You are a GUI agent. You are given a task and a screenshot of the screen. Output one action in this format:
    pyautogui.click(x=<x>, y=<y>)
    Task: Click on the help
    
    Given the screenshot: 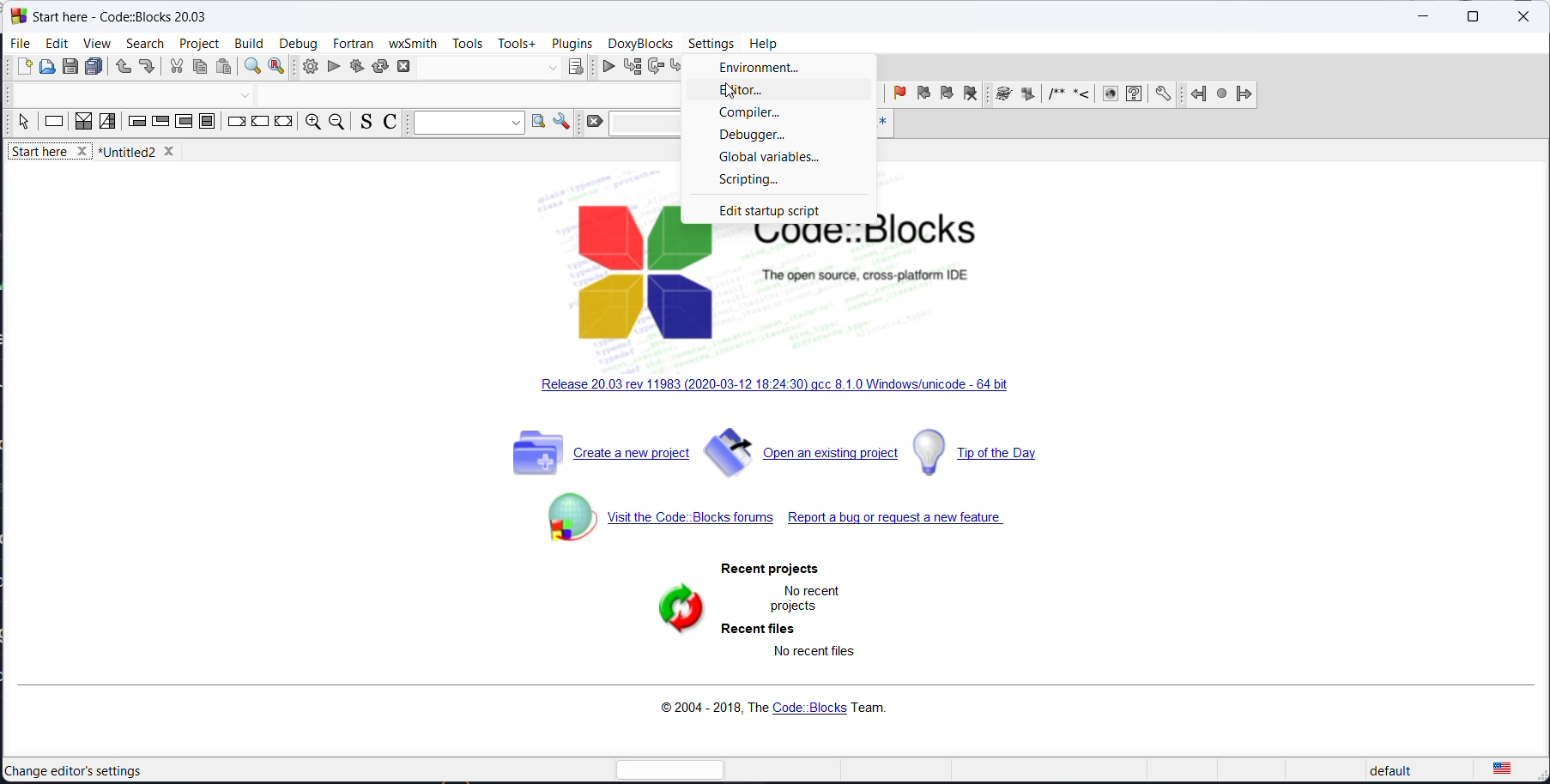 What is the action you would take?
    pyautogui.click(x=764, y=41)
    